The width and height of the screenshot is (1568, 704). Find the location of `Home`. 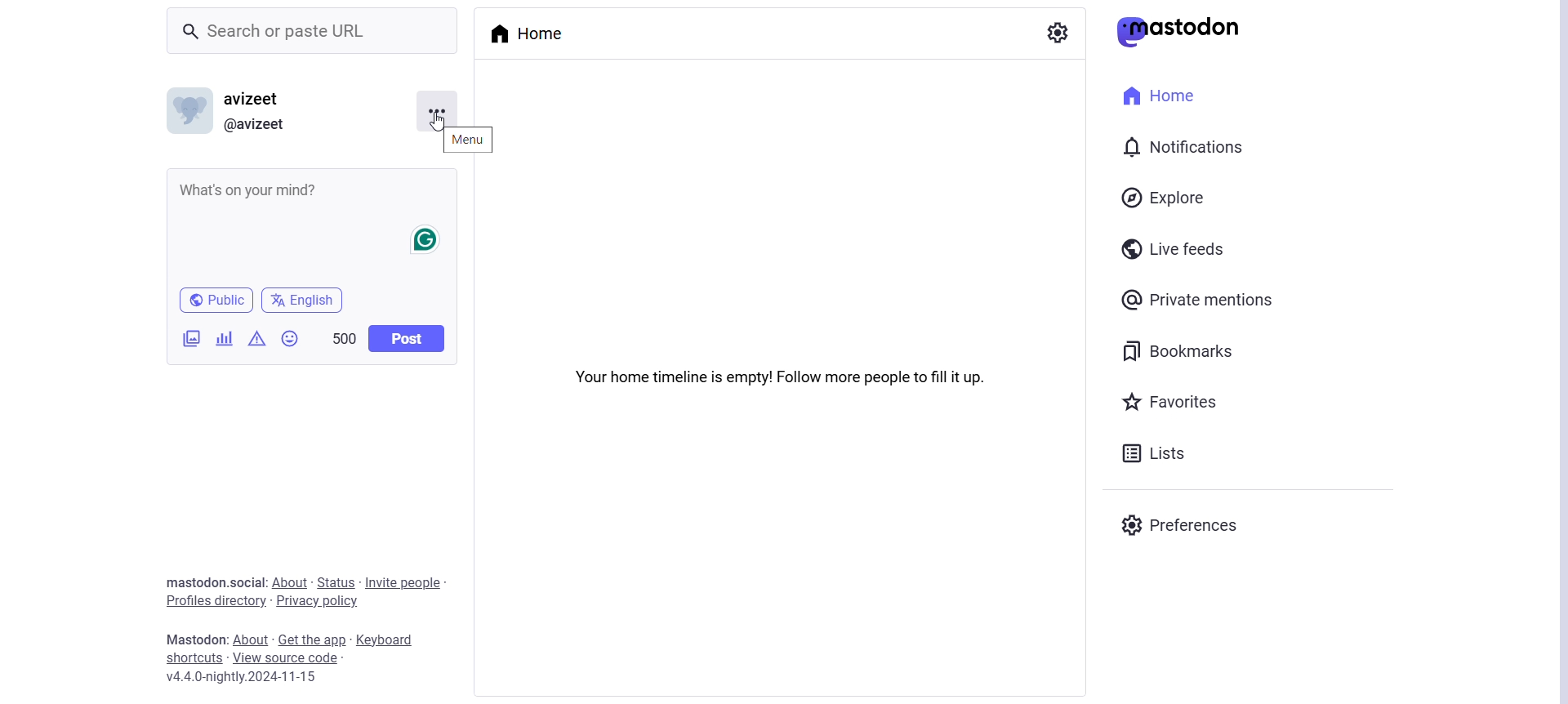

Home is located at coordinates (1161, 96).